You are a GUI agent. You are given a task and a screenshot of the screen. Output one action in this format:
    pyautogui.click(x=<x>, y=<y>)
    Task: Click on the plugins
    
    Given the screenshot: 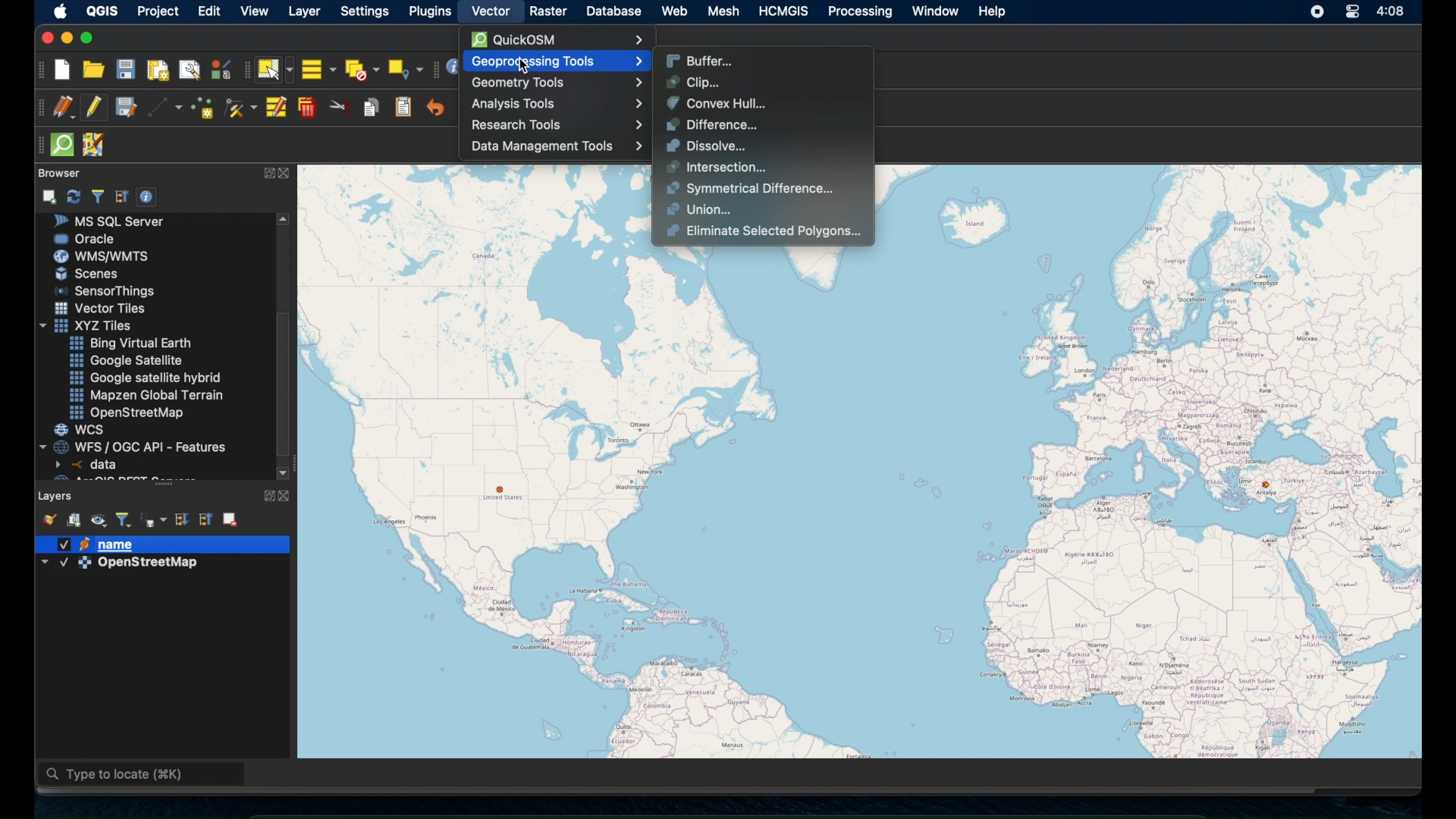 What is the action you would take?
    pyautogui.click(x=430, y=11)
    